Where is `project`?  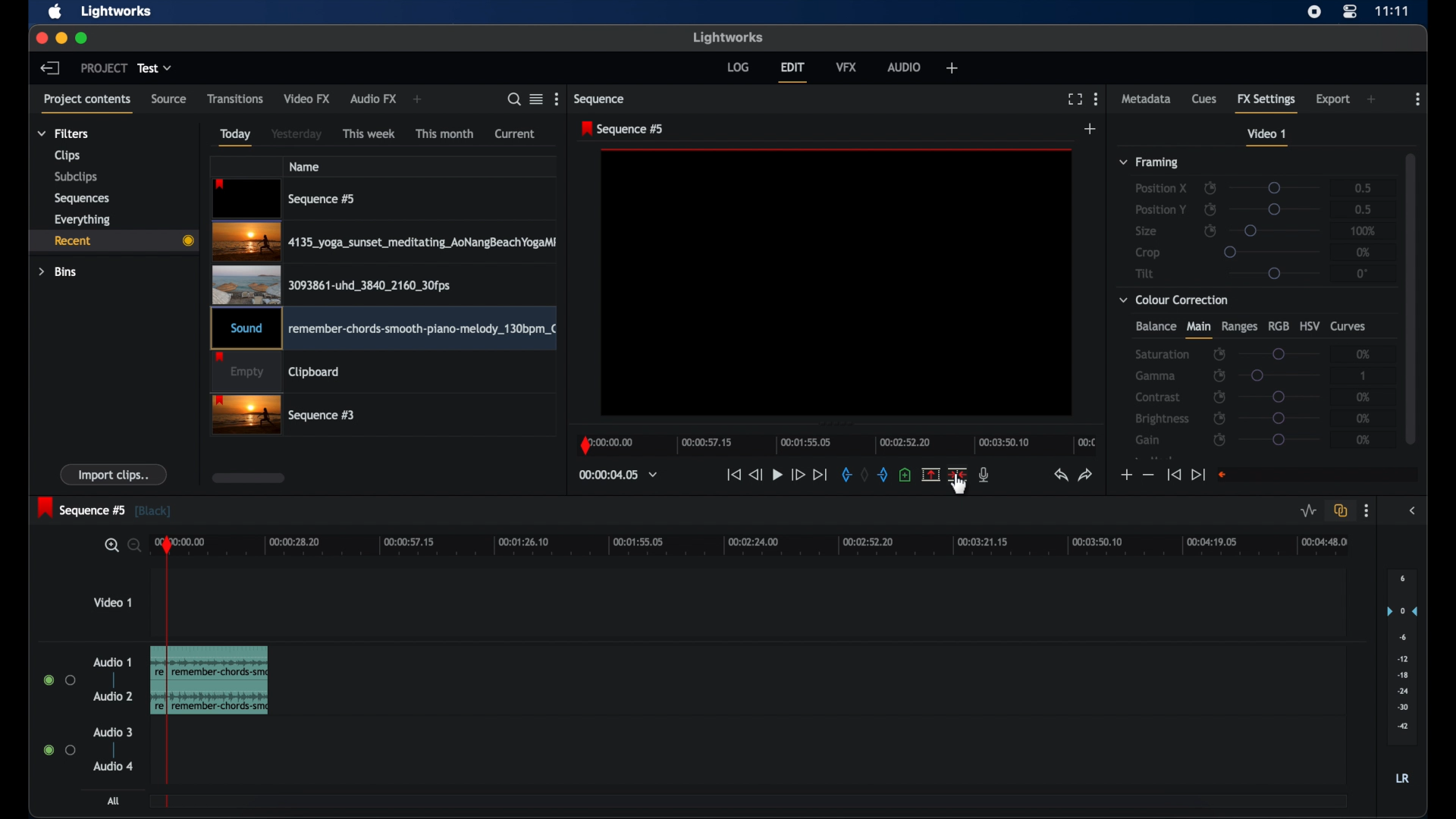 project is located at coordinates (103, 67).